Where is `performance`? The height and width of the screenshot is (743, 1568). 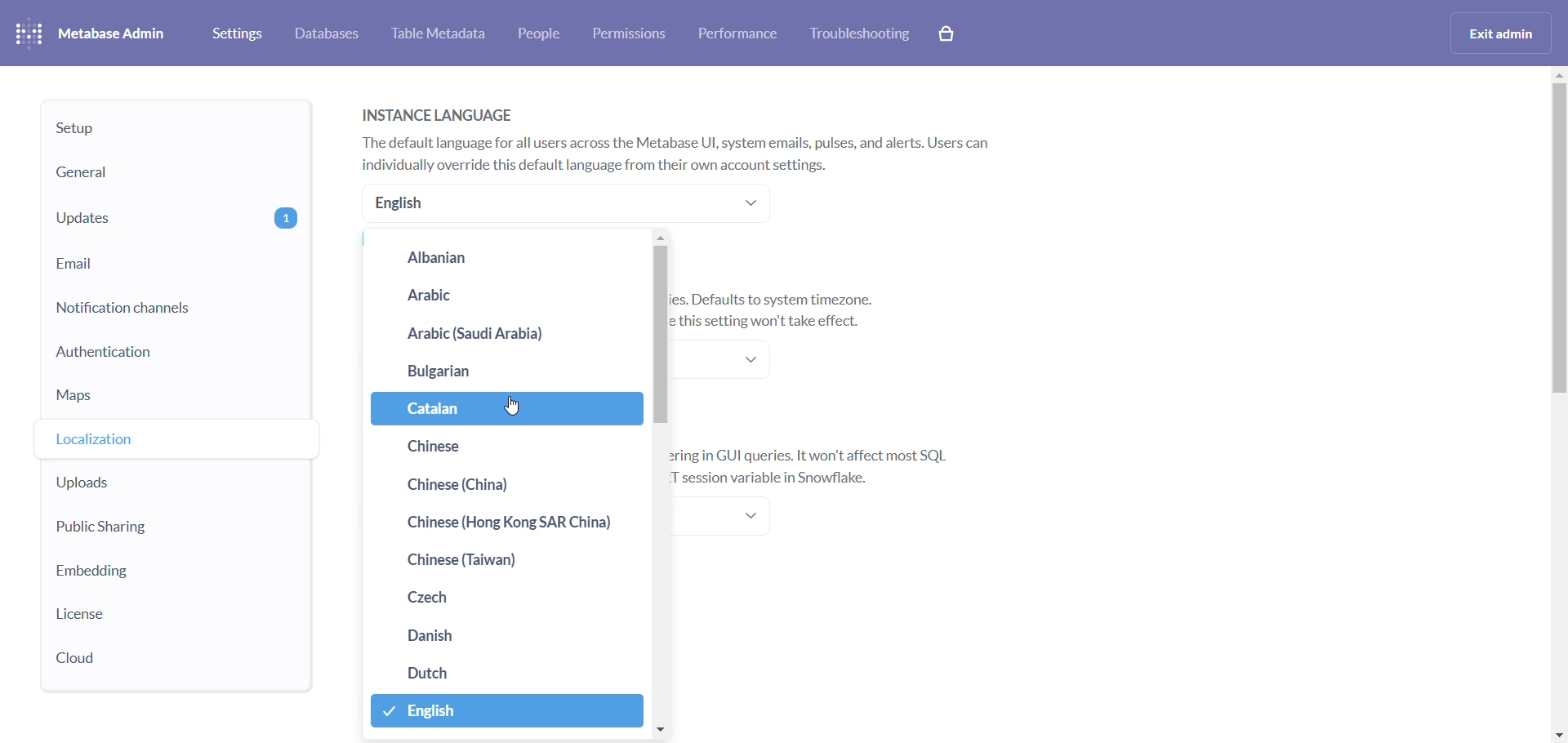
performance is located at coordinates (741, 34).